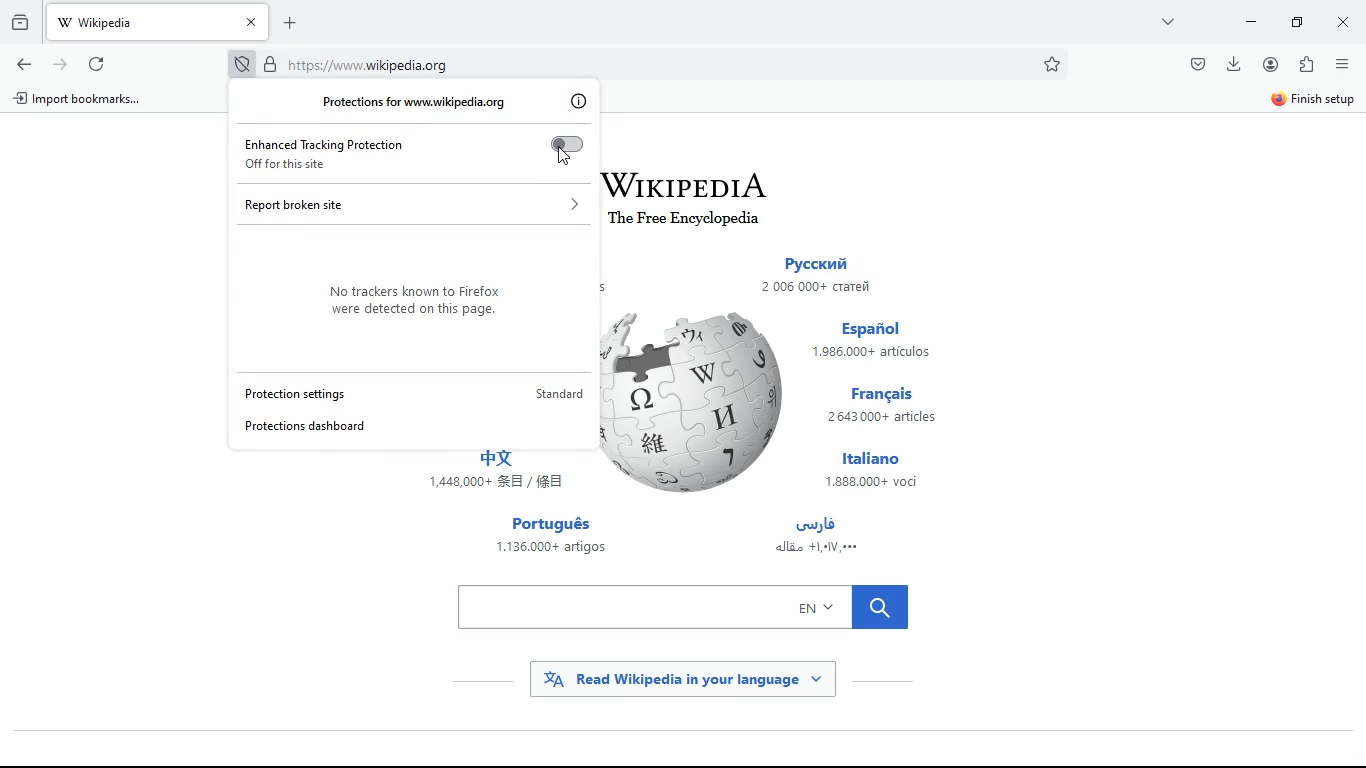 The height and width of the screenshot is (768, 1366). Describe the element at coordinates (1166, 22) in the screenshot. I see `more` at that location.